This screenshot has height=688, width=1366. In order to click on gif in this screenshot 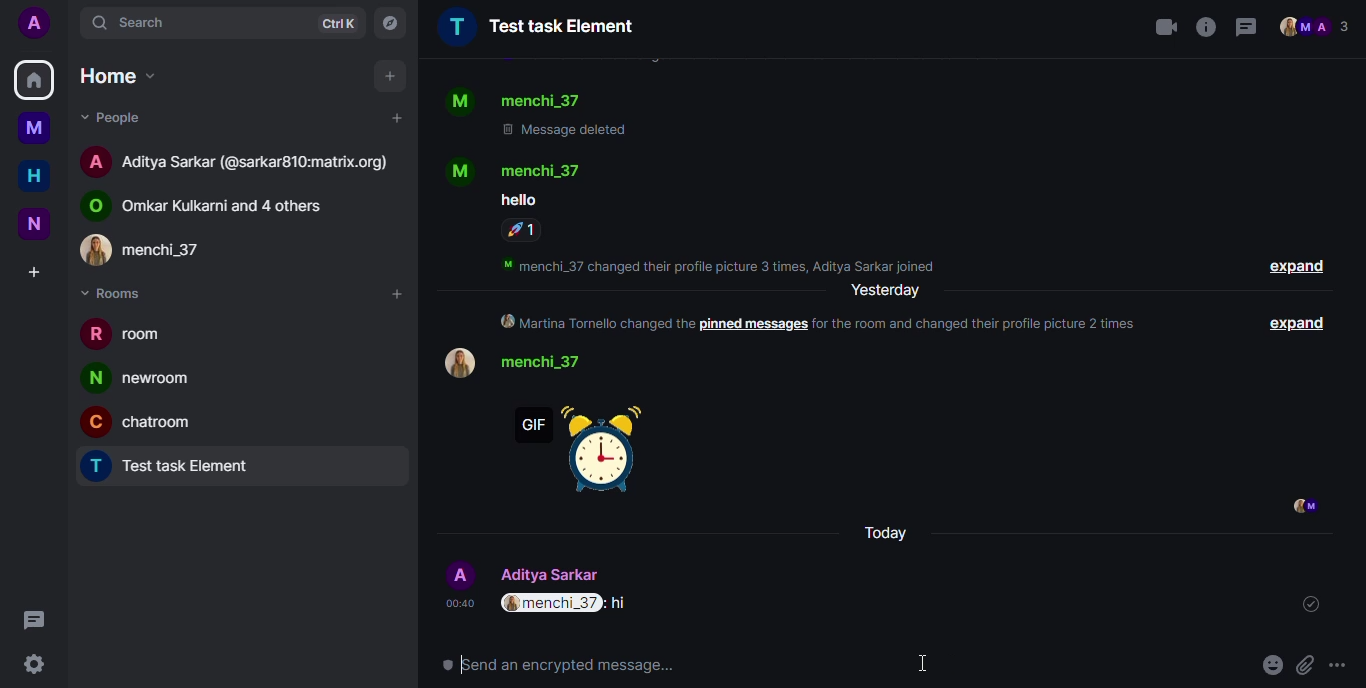, I will do `click(594, 455)`.